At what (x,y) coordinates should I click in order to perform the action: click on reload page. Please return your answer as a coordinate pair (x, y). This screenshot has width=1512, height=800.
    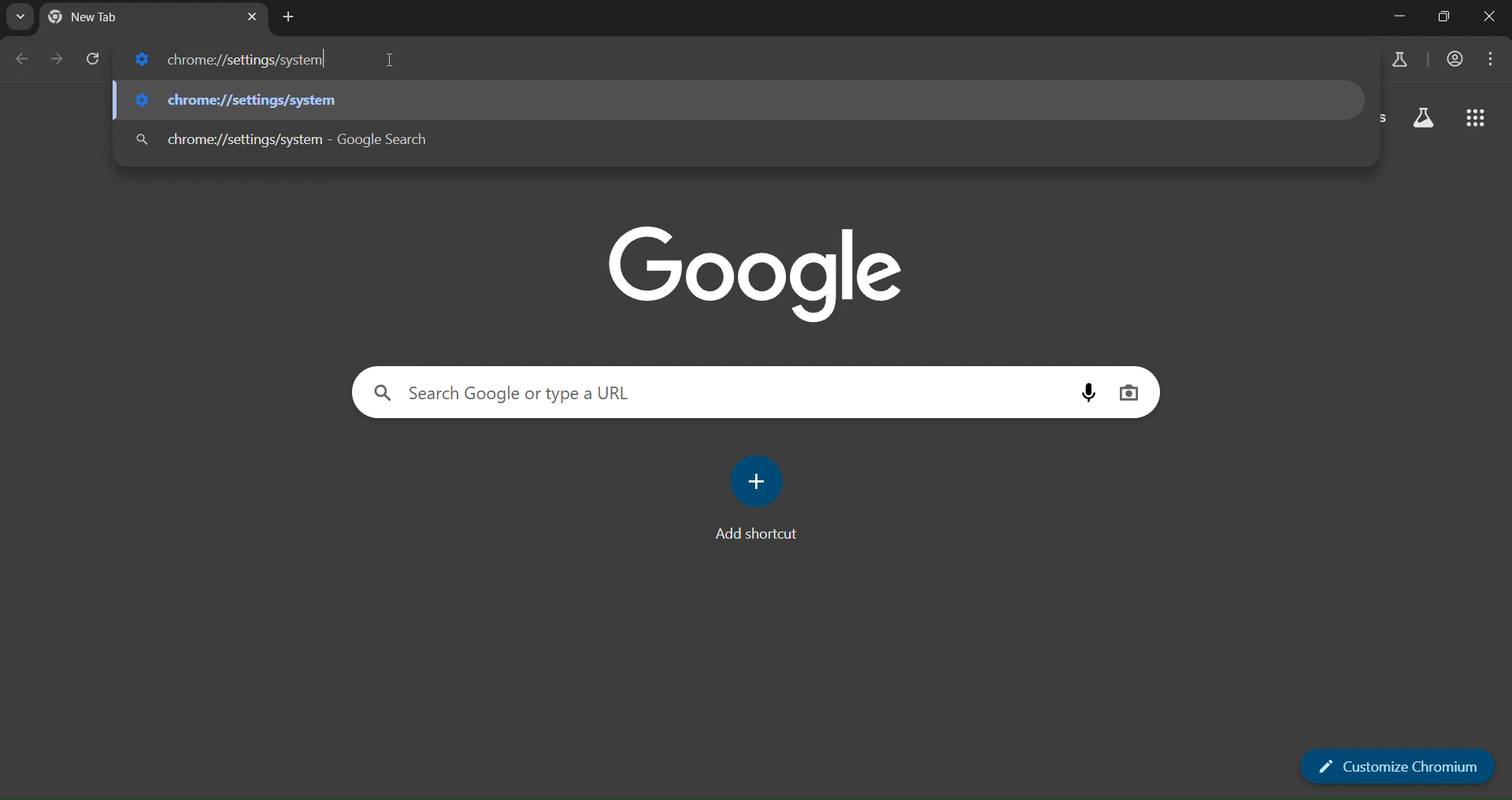
    Looking at the image, I should click on (98, 59).